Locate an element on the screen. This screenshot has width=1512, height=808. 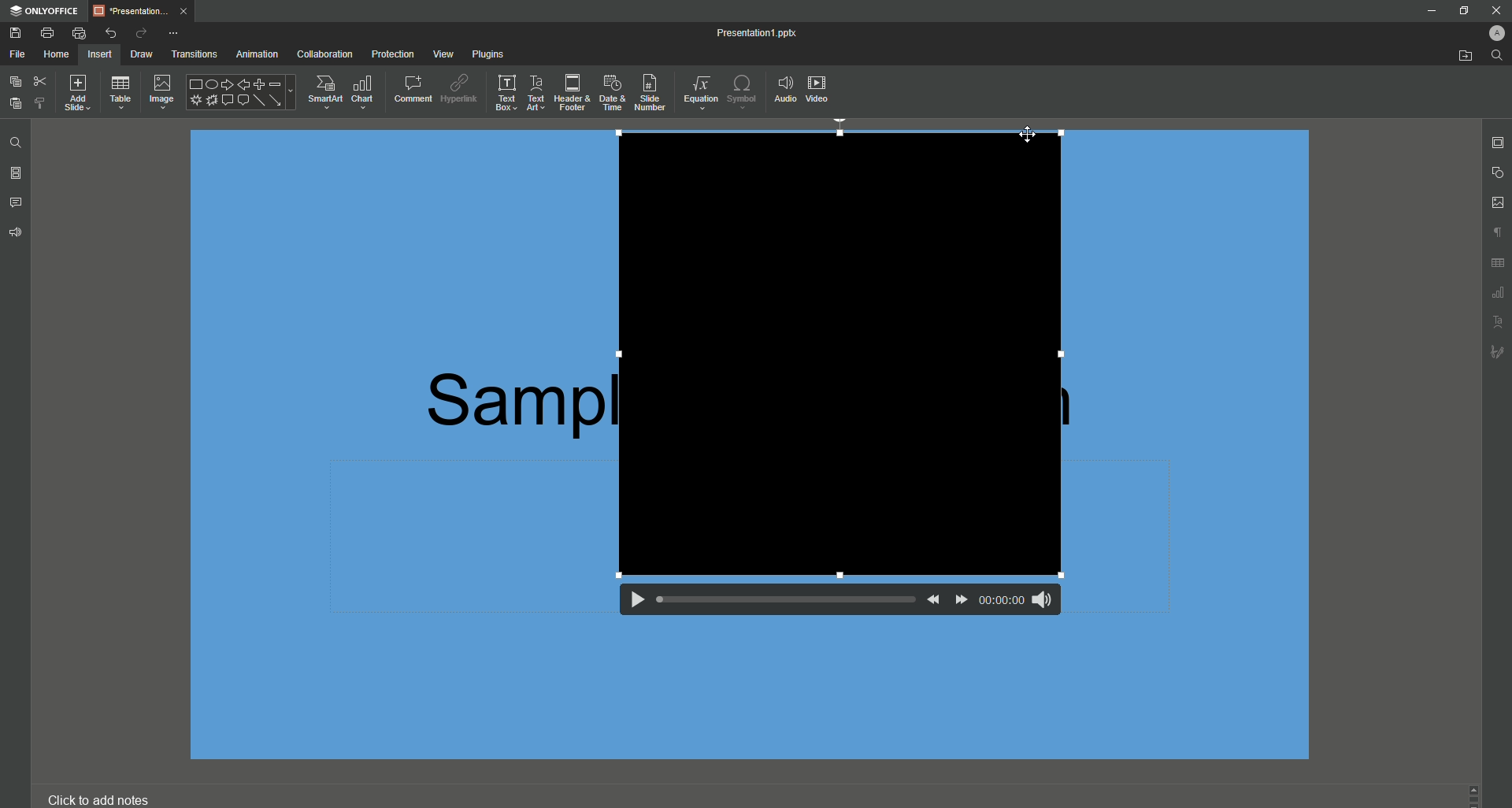
Quick Print is located at coordinates (80, 32).